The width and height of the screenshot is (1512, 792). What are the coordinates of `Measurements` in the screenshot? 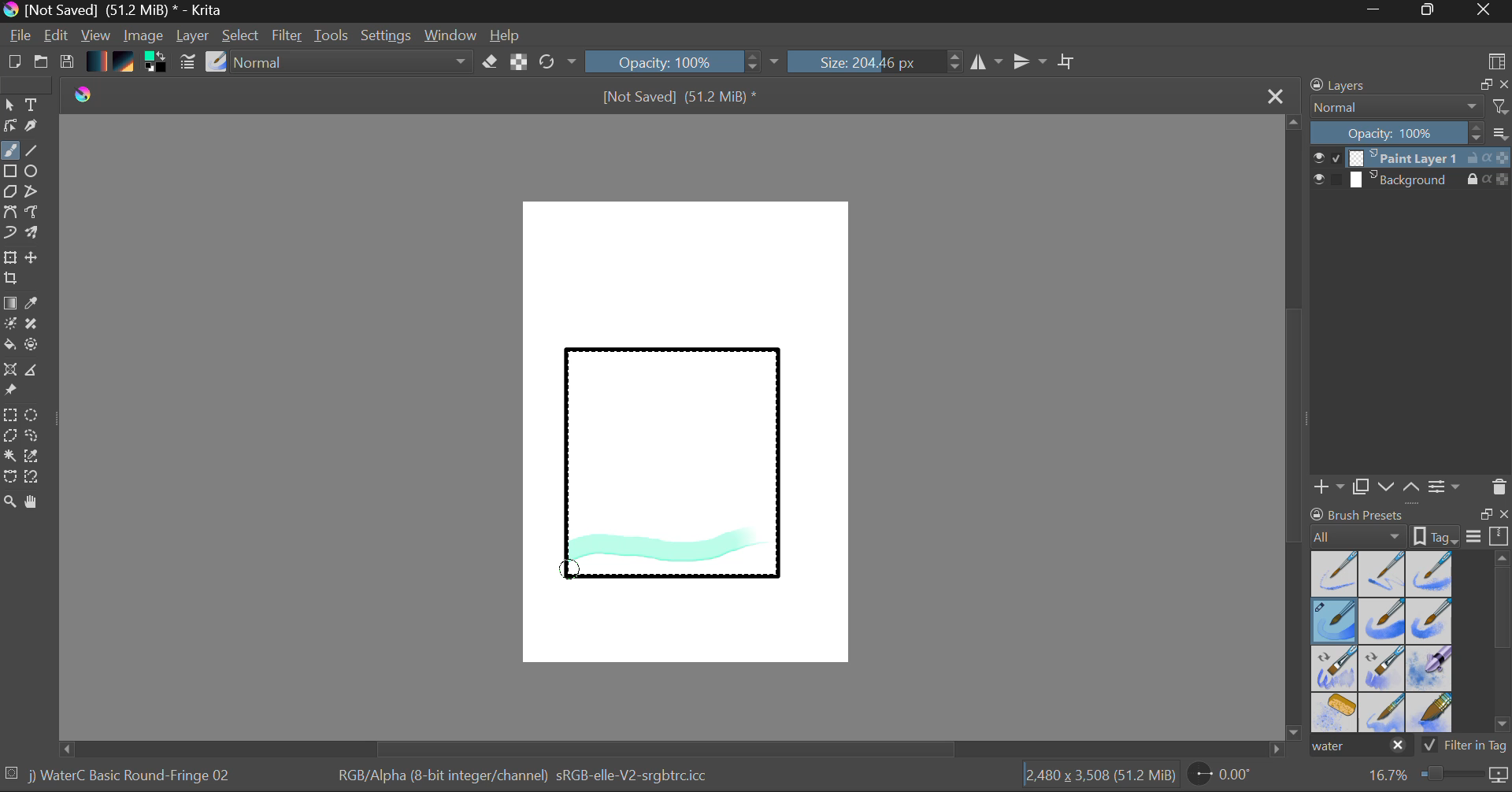 It's located at (34, 372).